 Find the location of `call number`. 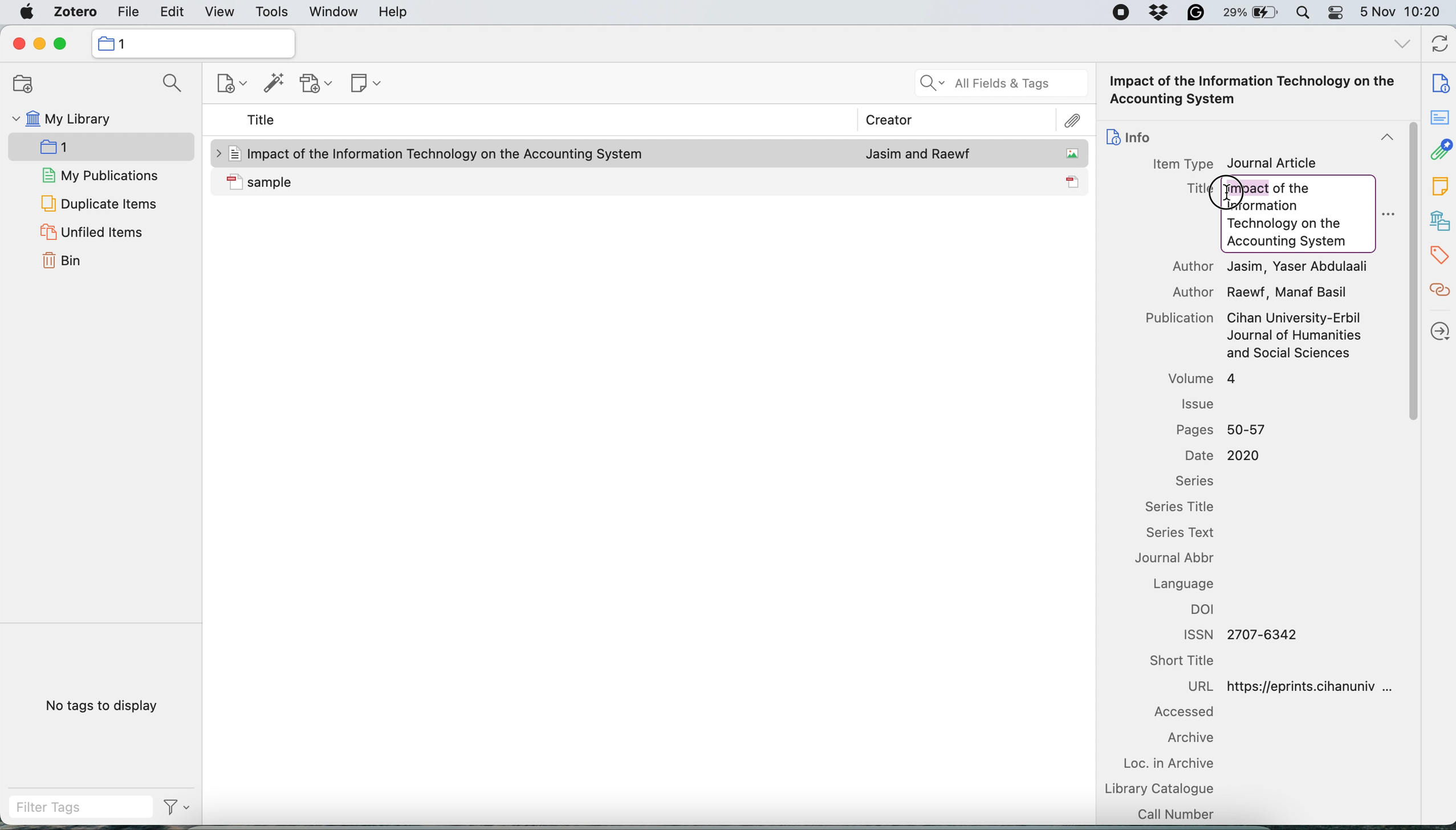

call number is located at coordinates (1179, 813).